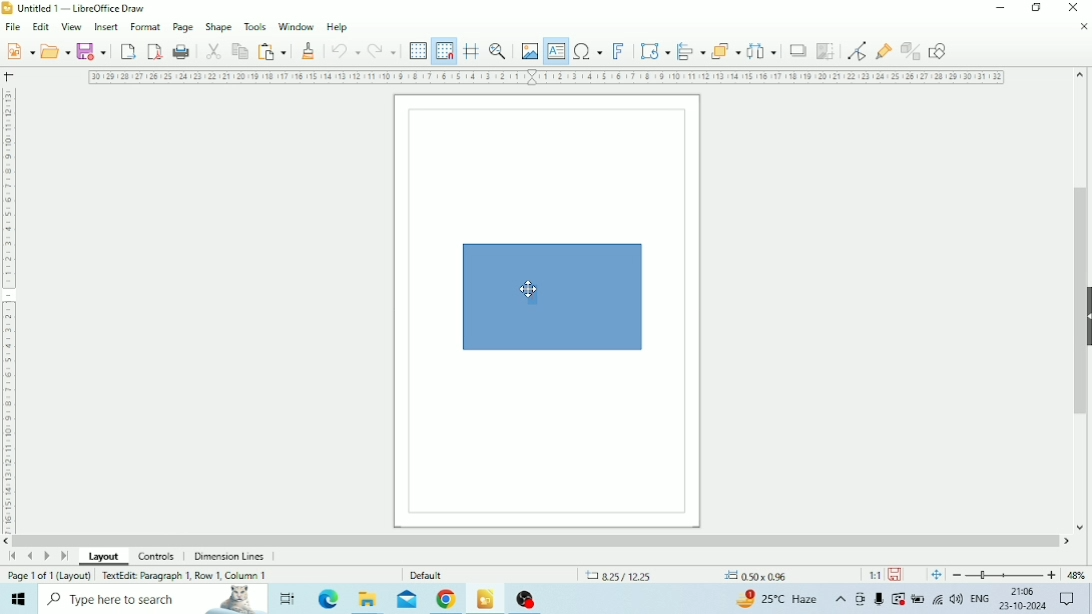 This screenshot has height=614, width=1092. Describe the element at coordinates (910, 51) in the screenshot. I see `Toggle Extrusion` at that location.